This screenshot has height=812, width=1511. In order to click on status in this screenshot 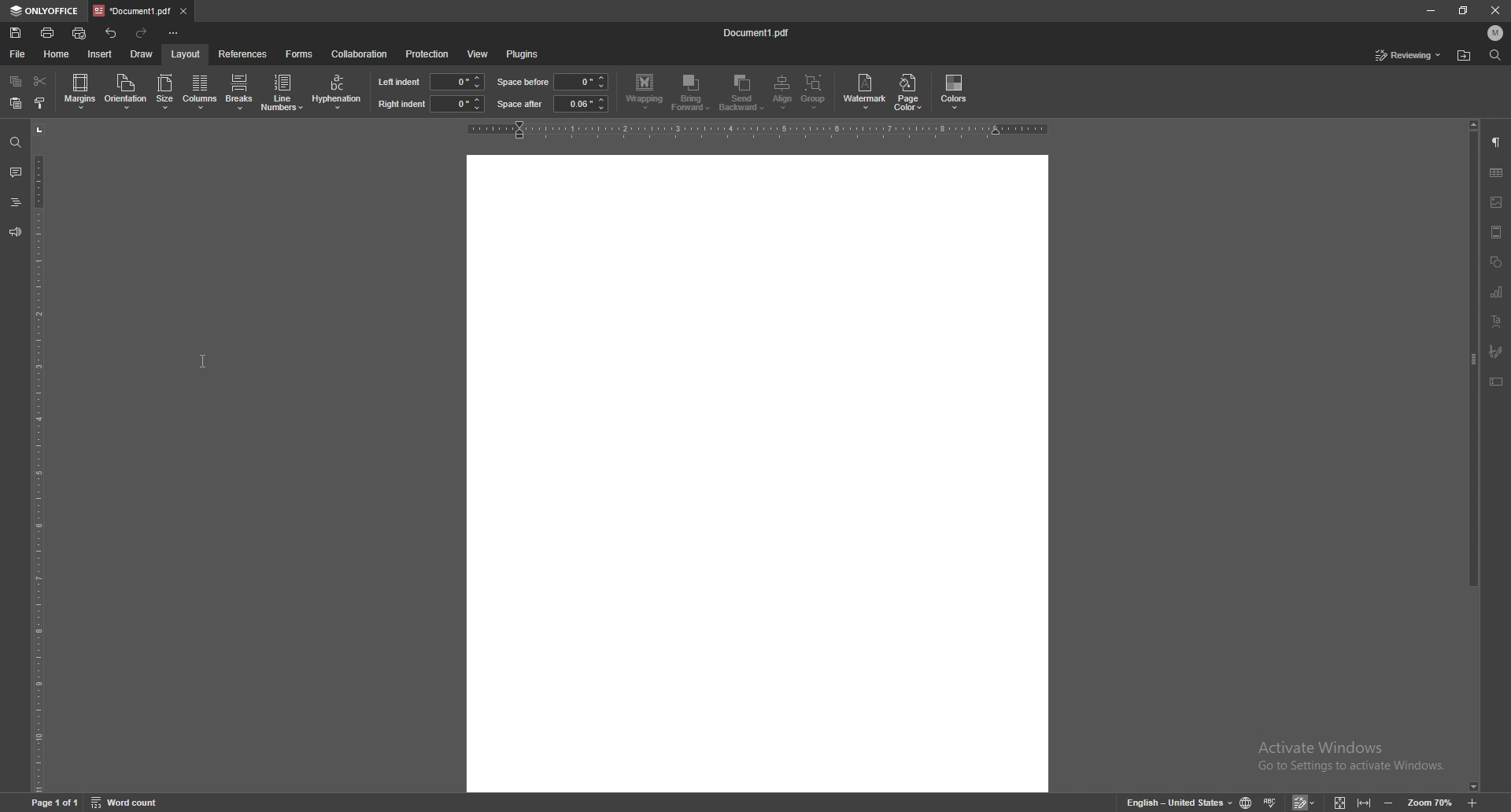, I will do `click(1409, 55)`.